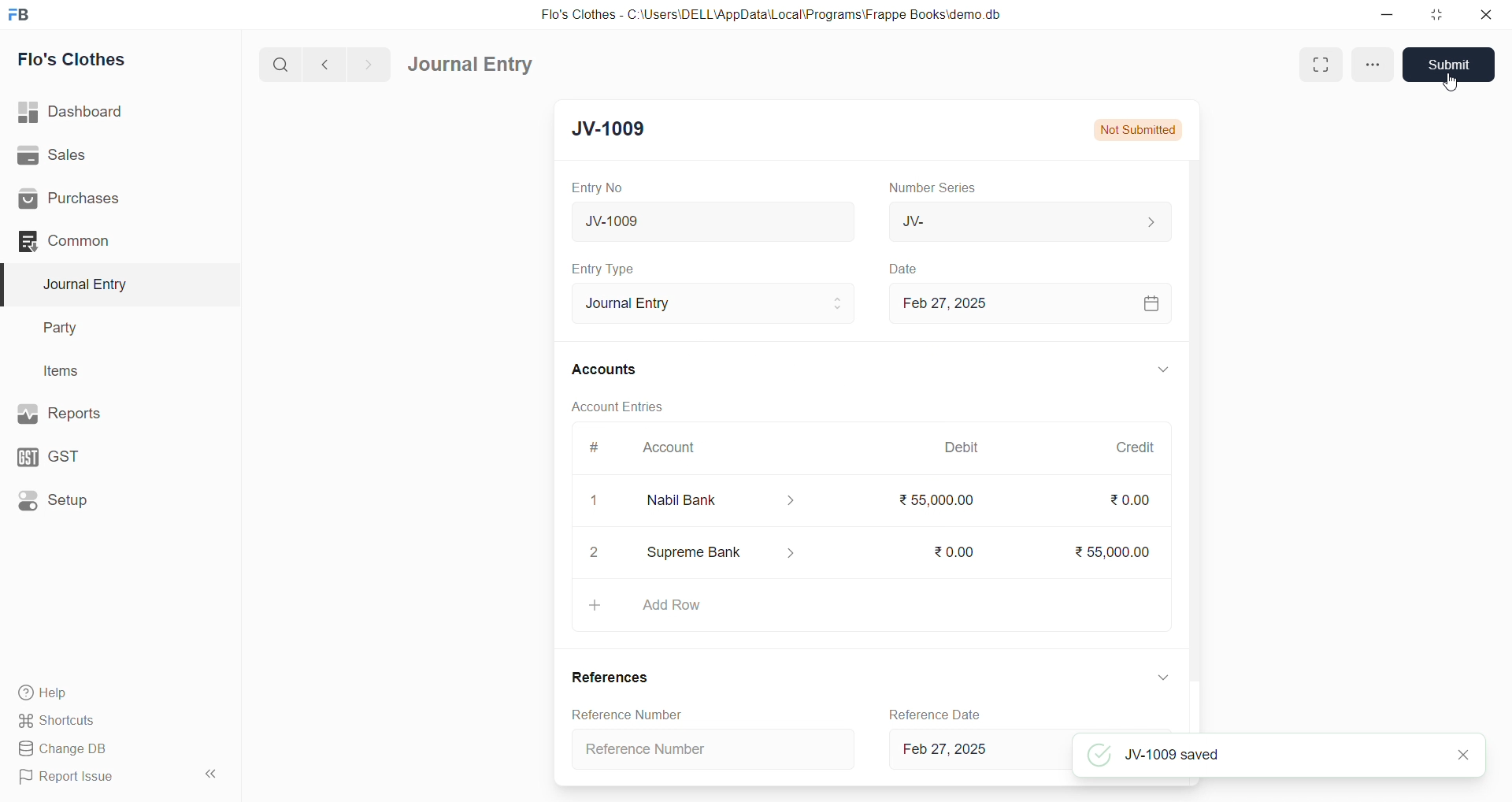 The width and height of the screenshot is (1512, 802). Describe the element at coordinates (1436, 13) in the screenshot. I see `resize` at that location.